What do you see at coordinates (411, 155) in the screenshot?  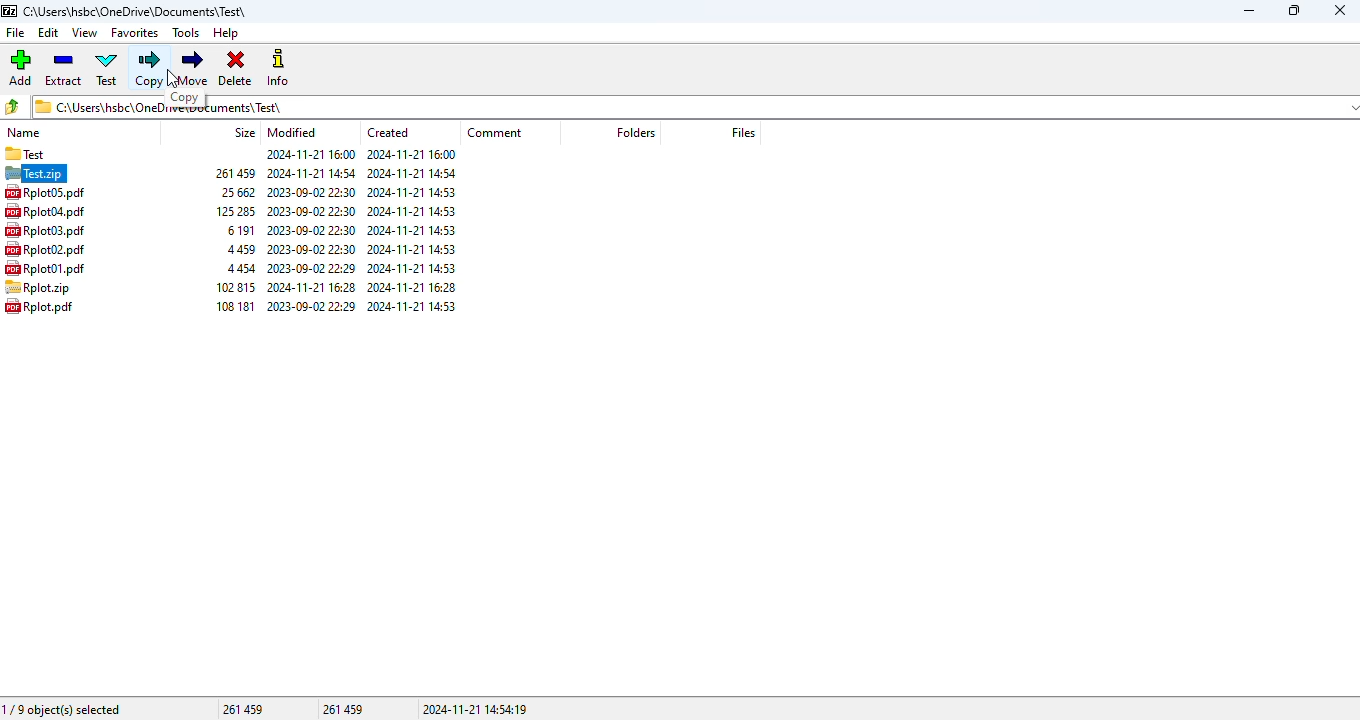 I see `created date & time` at bounding box center [411, 155].